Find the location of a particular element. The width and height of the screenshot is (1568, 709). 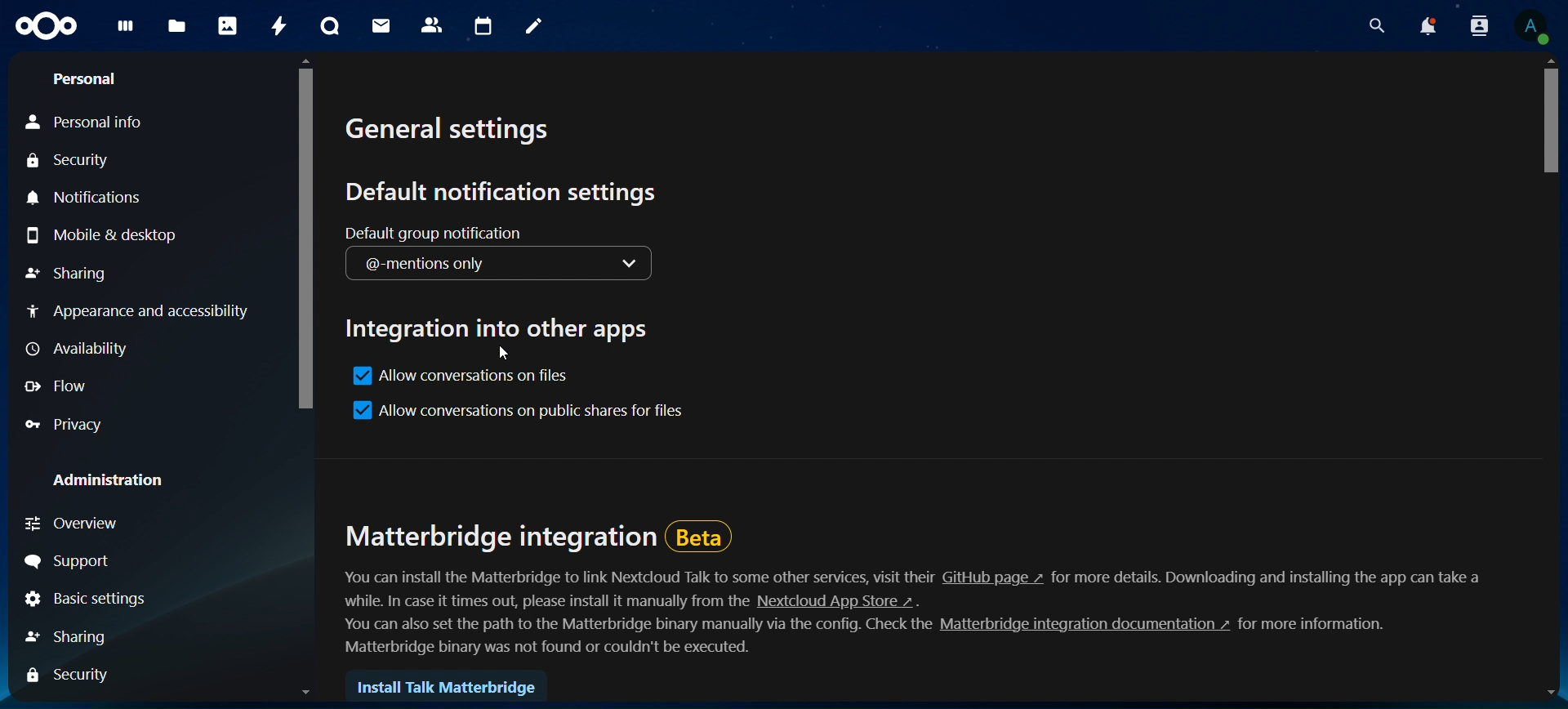

allow conversations on public shares for files is located at coordinates (521, 410).